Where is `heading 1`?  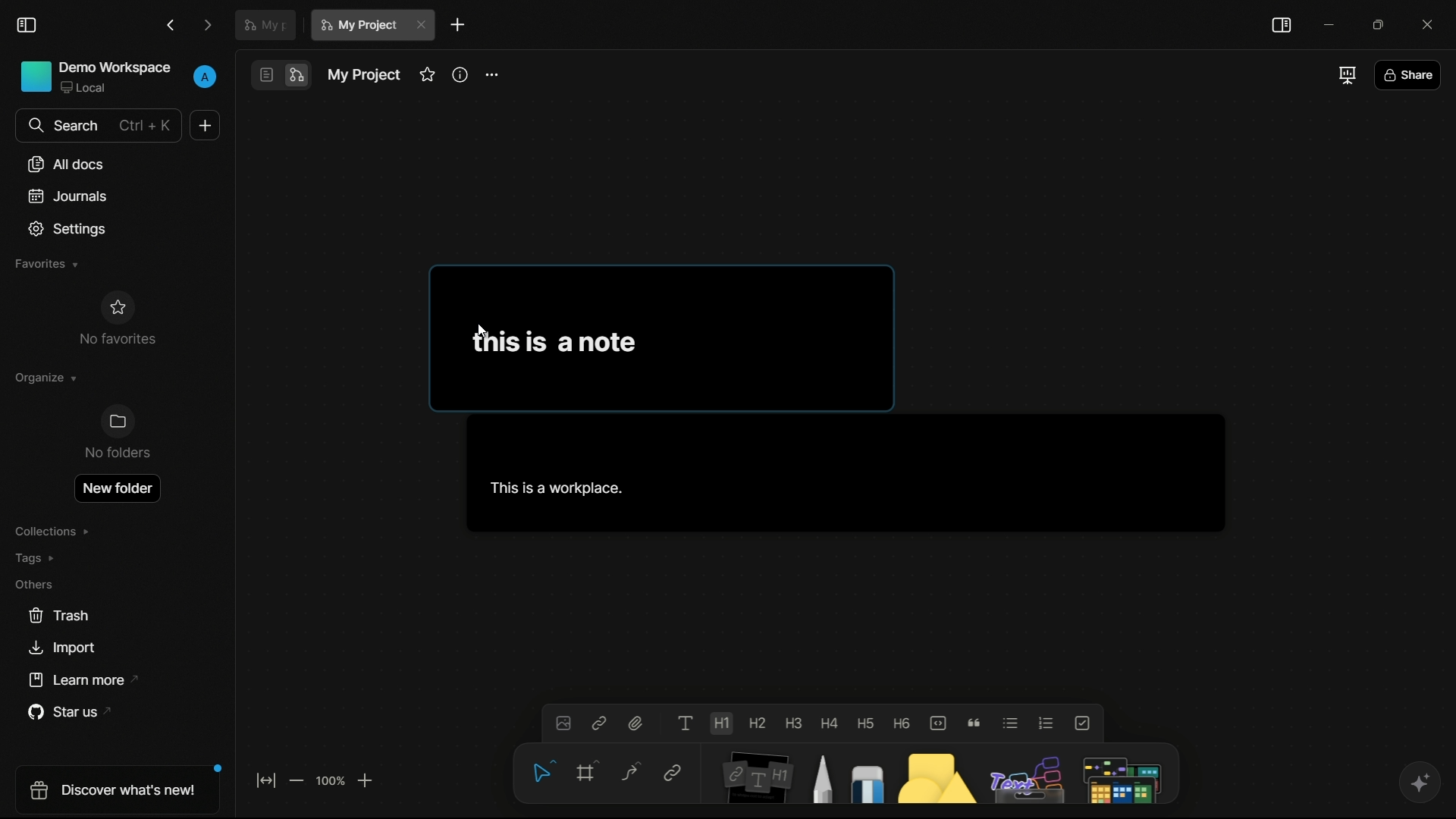 heading 1 is located at coordinates (723, 724).